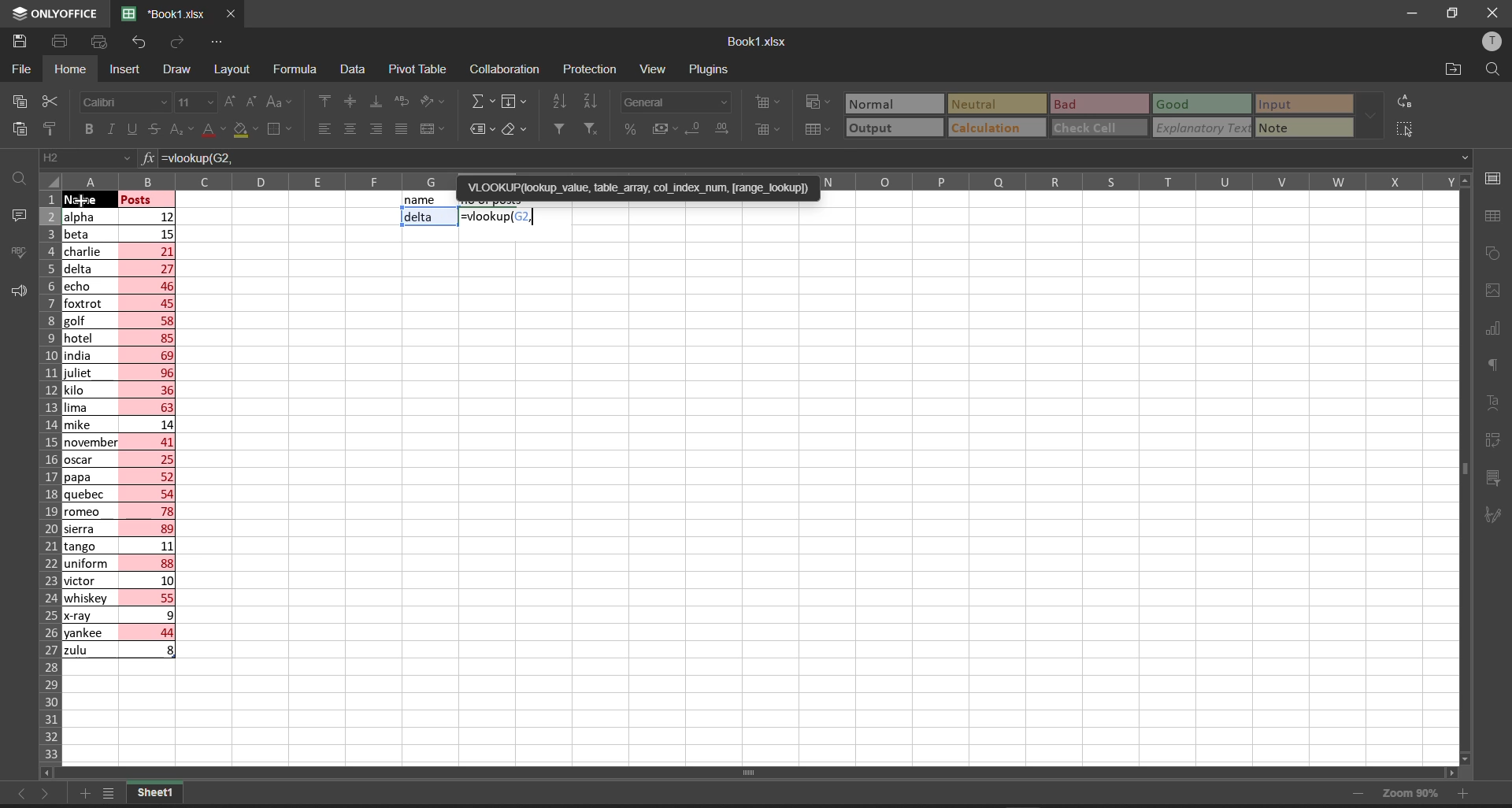 The image size is (1512, 808). I want to click on names, so click(87, 433).